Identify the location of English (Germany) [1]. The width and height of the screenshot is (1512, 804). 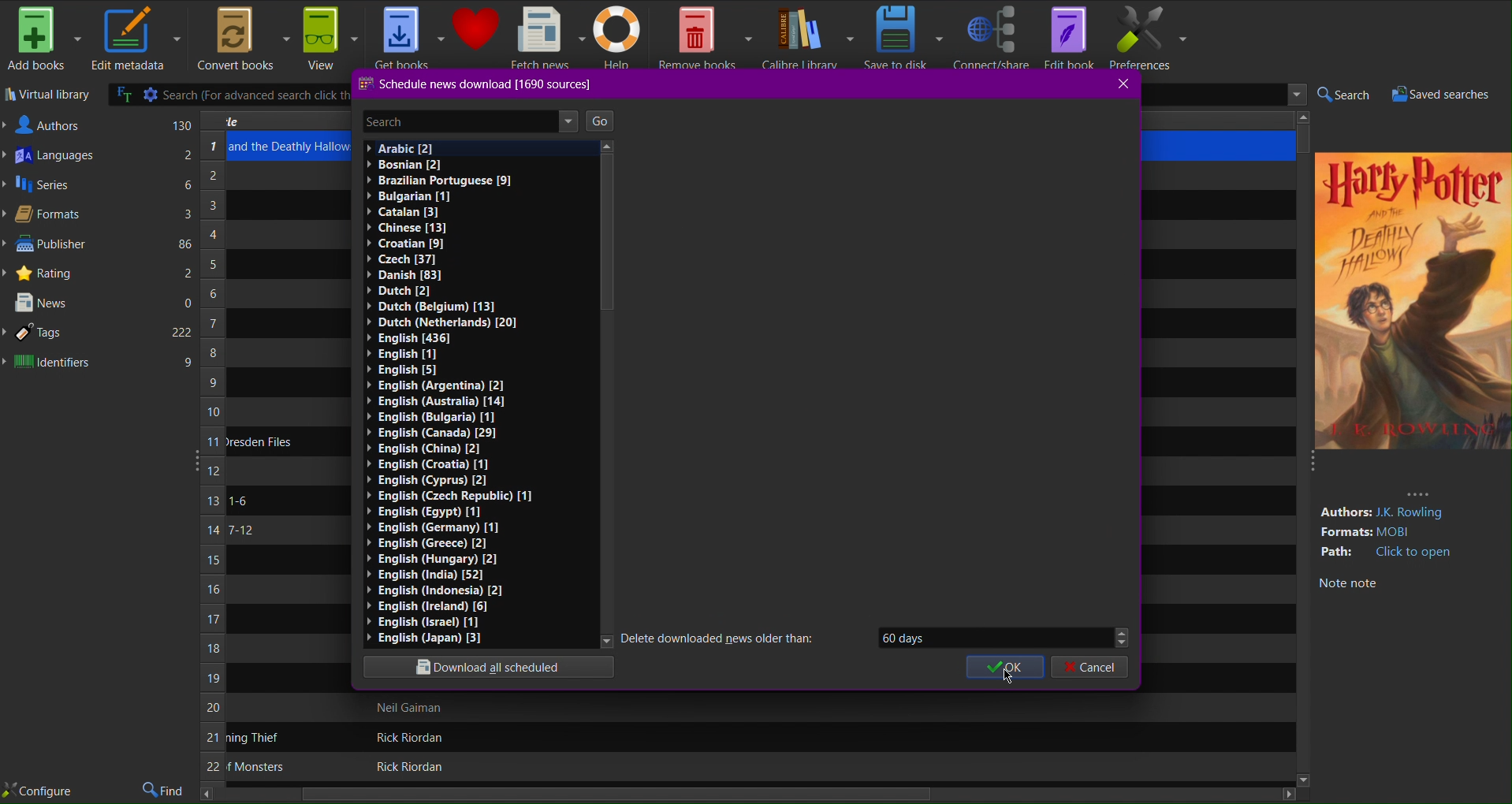
(432, 528).